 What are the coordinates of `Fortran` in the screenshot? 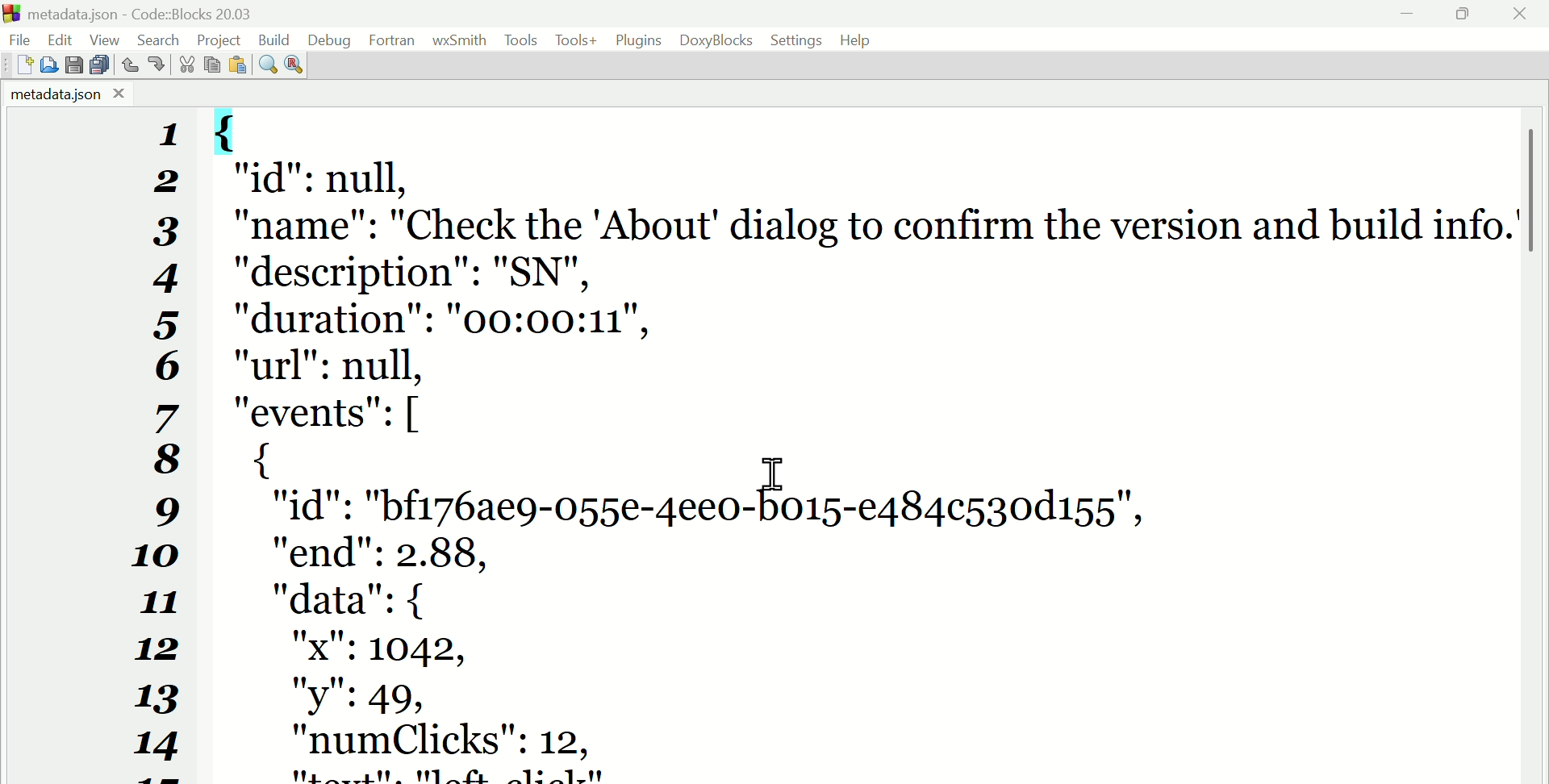 It's located at (392, 40).